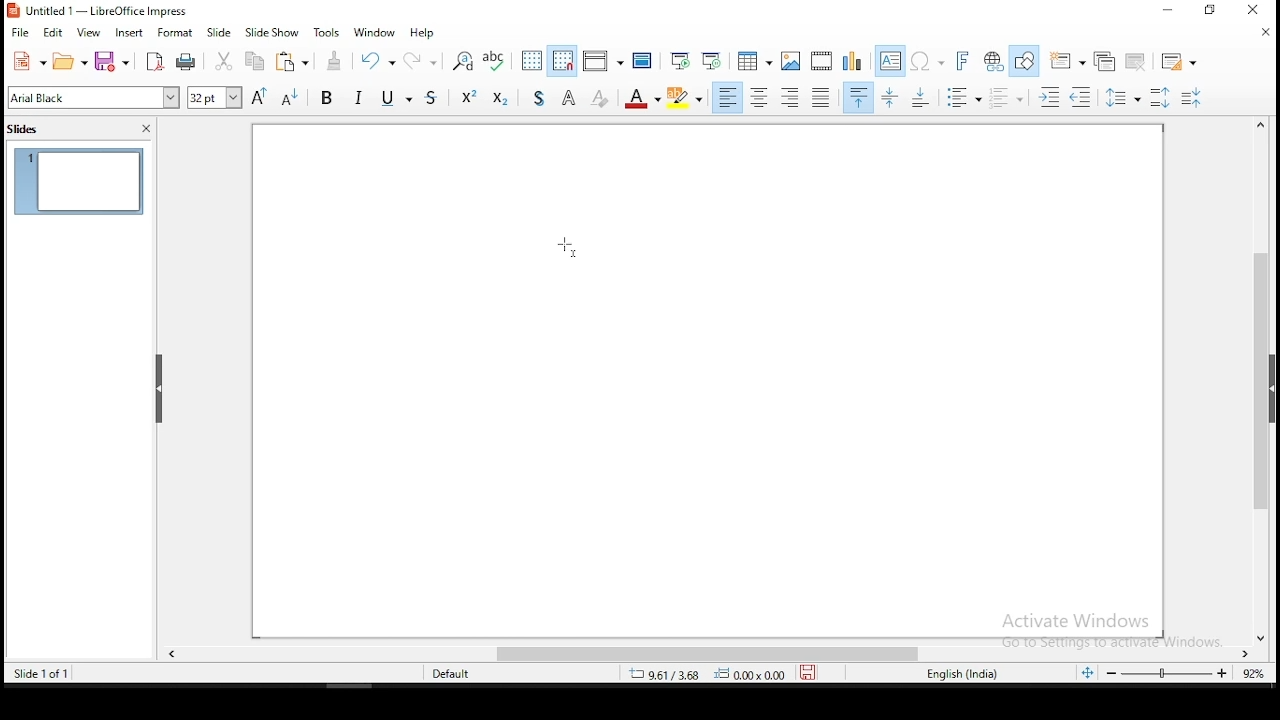 The image size is (1280, 720). Describe the element at coordinates (460, 672) in the screenshot. I see `Default` at that location.